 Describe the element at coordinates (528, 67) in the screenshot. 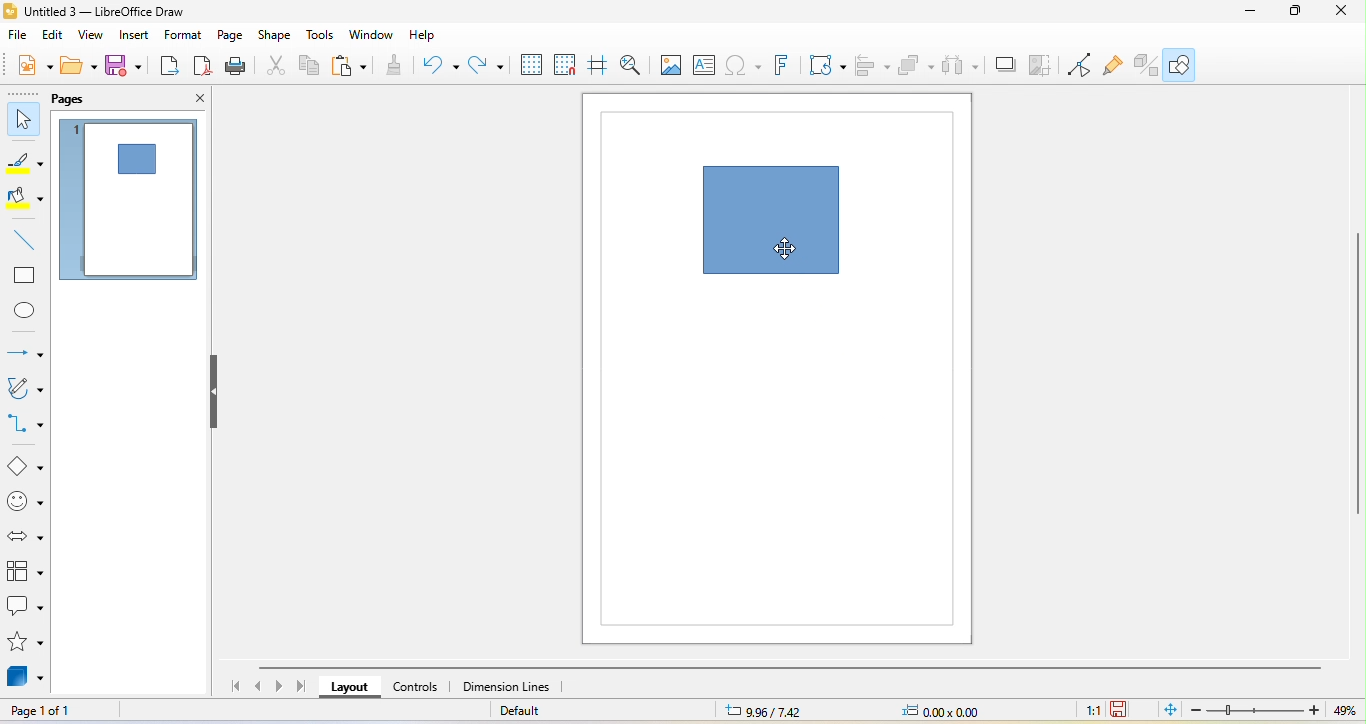

I see `display grid` at that location.